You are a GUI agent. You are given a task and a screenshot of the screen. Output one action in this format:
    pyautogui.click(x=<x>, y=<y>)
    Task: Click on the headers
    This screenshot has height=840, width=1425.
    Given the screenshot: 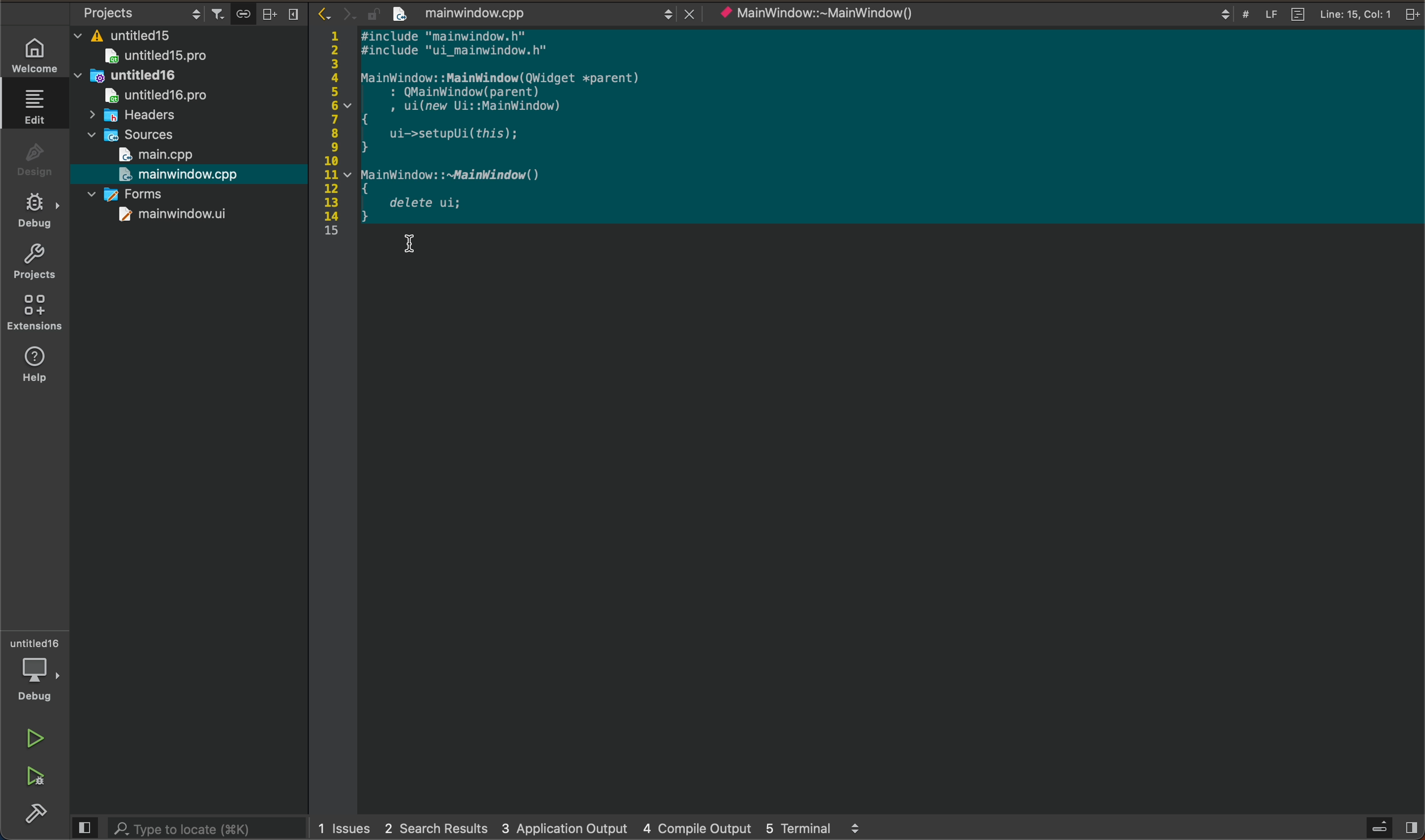 What is the action you would take?
    pyautogui.click(x=131, y=118)
    